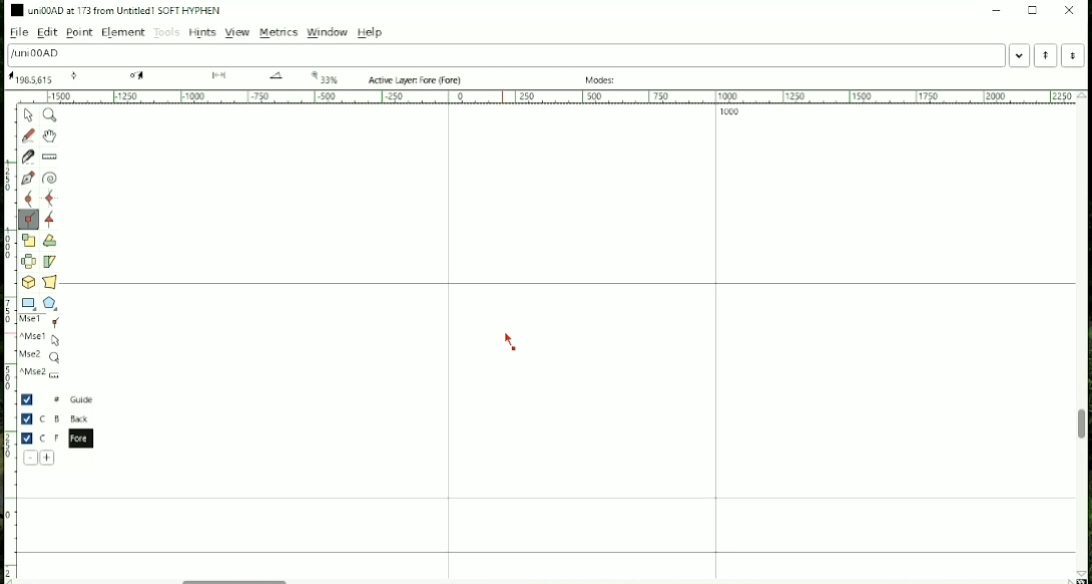 The height and width of the screenshot is (584, 1092). Describe the element at coordinates (51, 178) in the screenshot. I see `Spiro` at that location.